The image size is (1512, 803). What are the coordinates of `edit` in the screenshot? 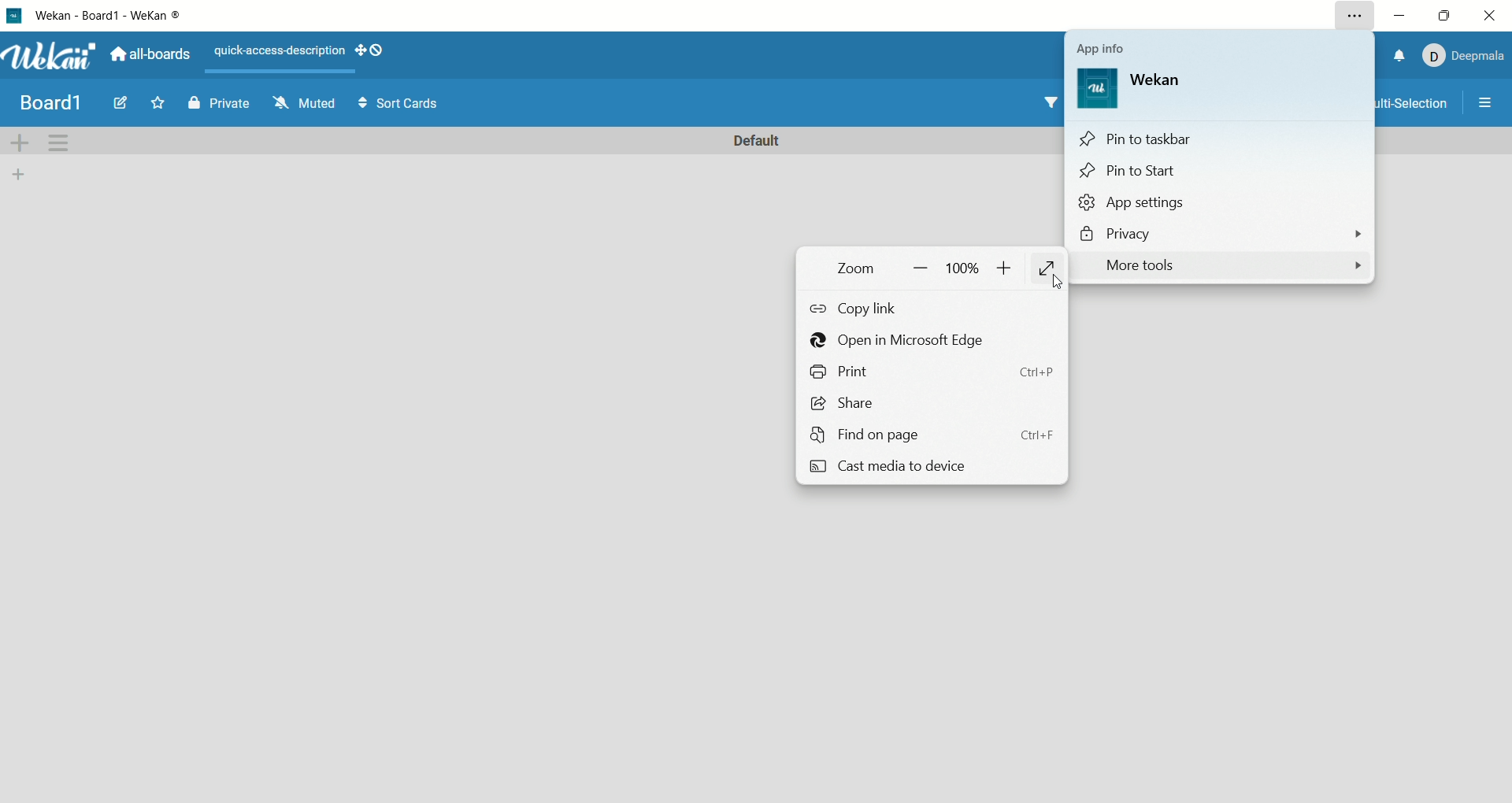 It's located at (124, 106).